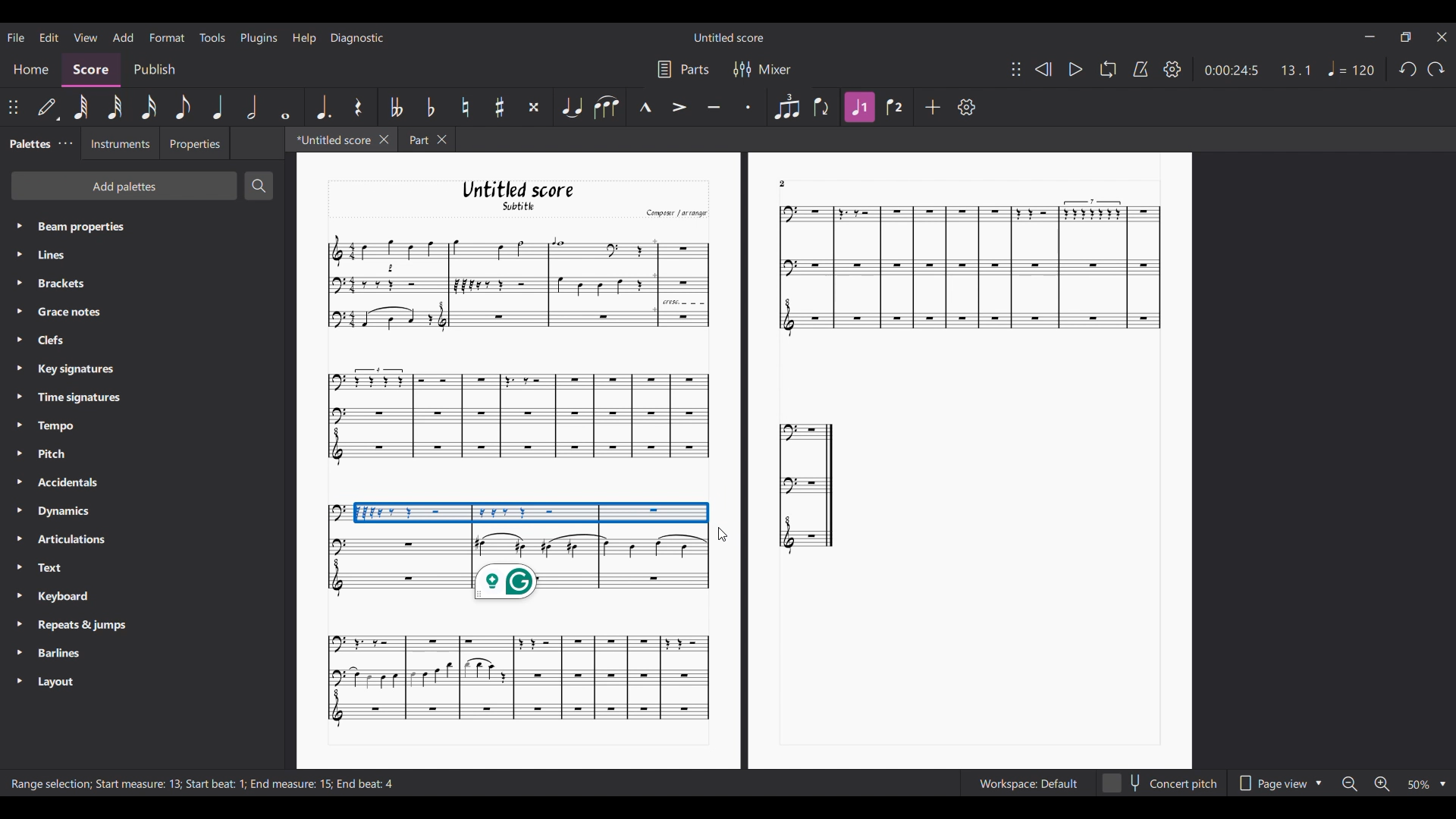  What do you see at coordinates (676, 215) in the screenshot?
I see `Compone | arcanger` at bounding box center [676, 215].